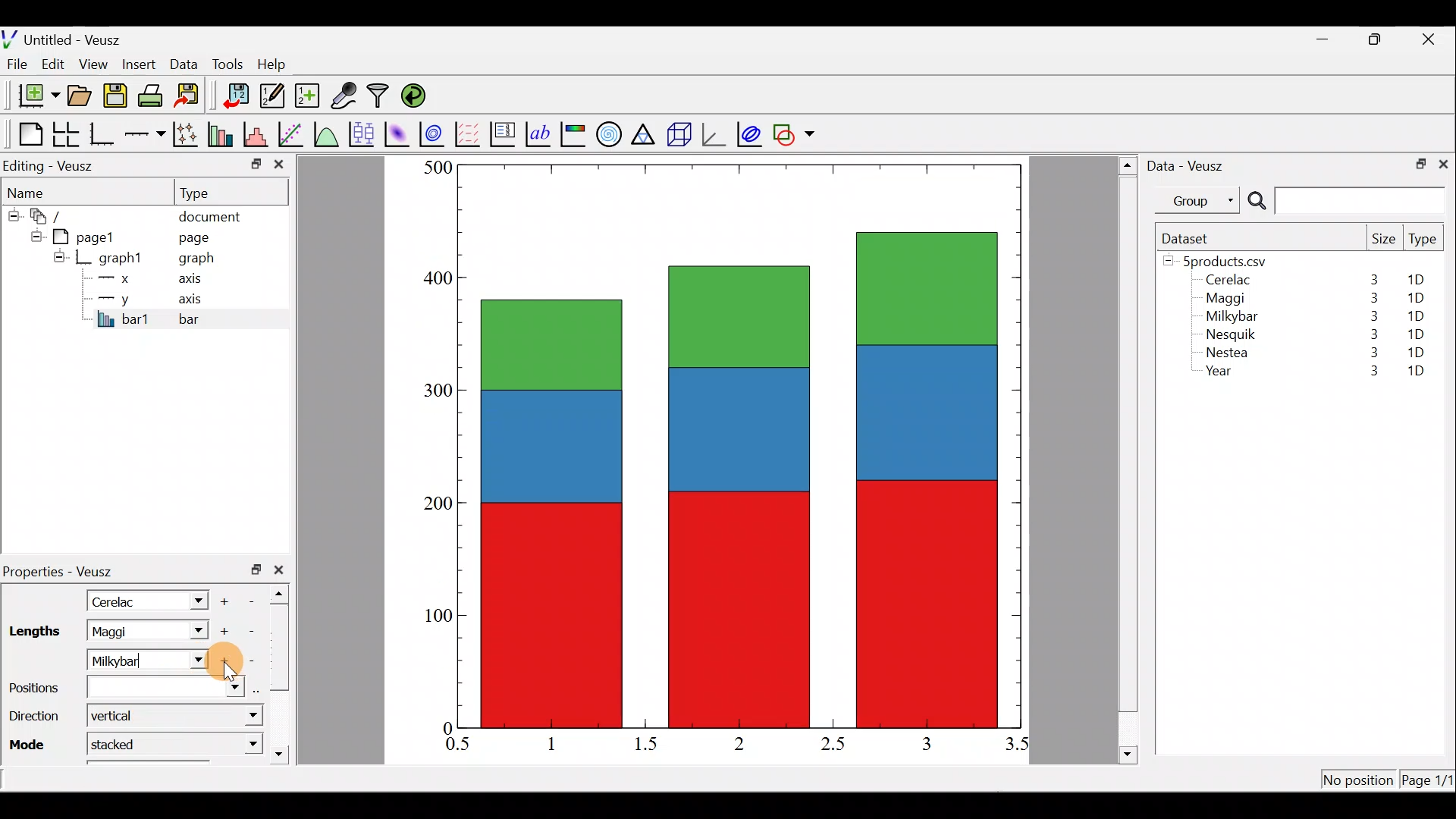 This screenshot has height=819, width=1456. Describe the element at coordinates (1223, 260) in the screenshot. I see `5products.csv` at that location.